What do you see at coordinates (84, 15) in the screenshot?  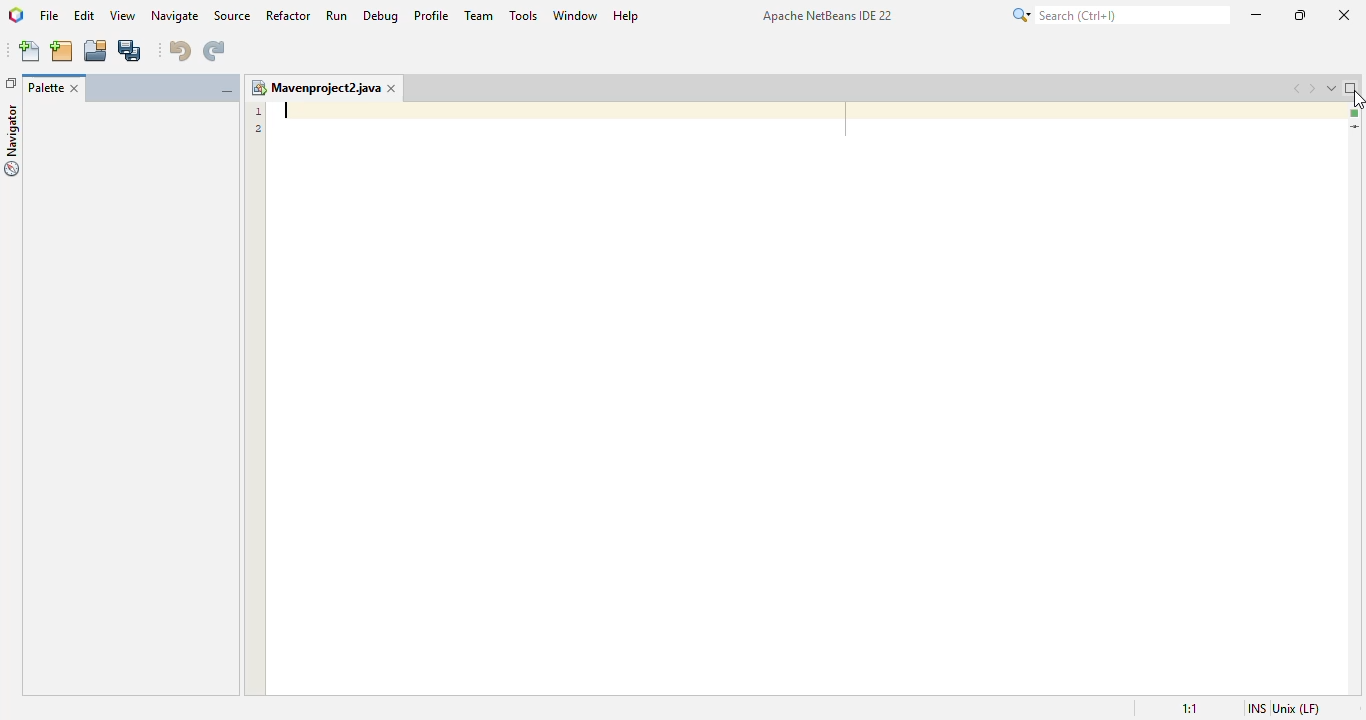 I see `edit` at bounding box center [84, 15].